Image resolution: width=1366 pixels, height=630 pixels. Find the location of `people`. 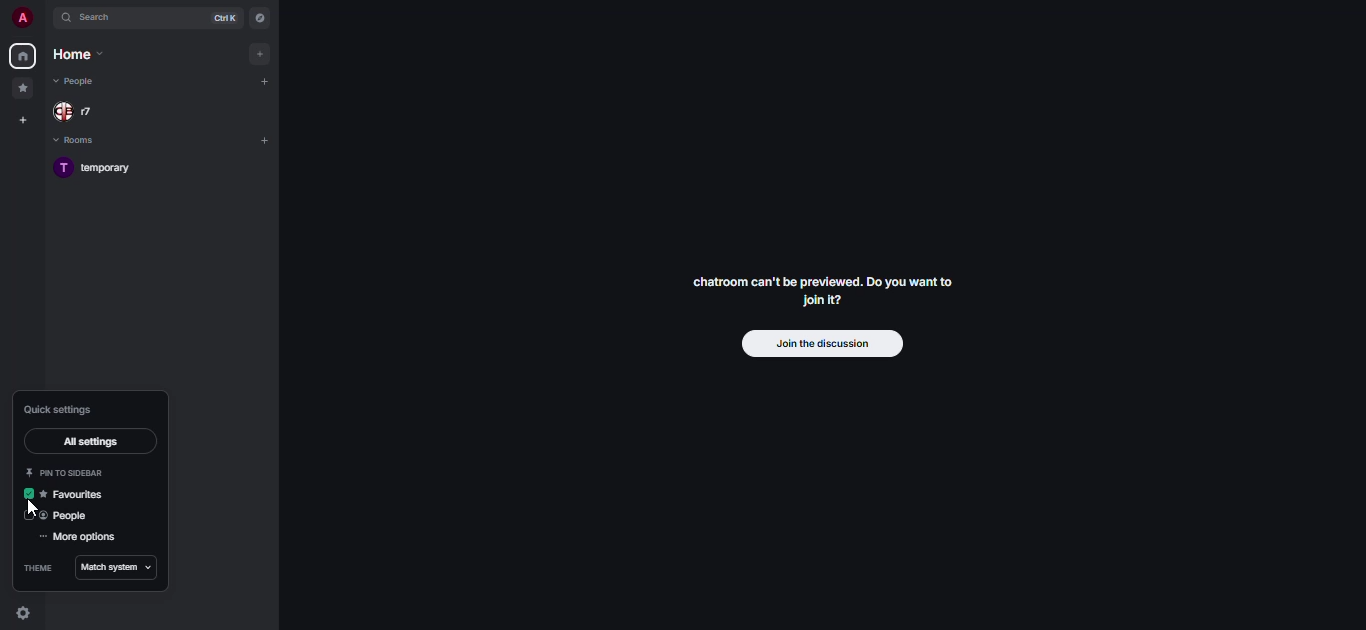

people is located at coordinates (80, 82).